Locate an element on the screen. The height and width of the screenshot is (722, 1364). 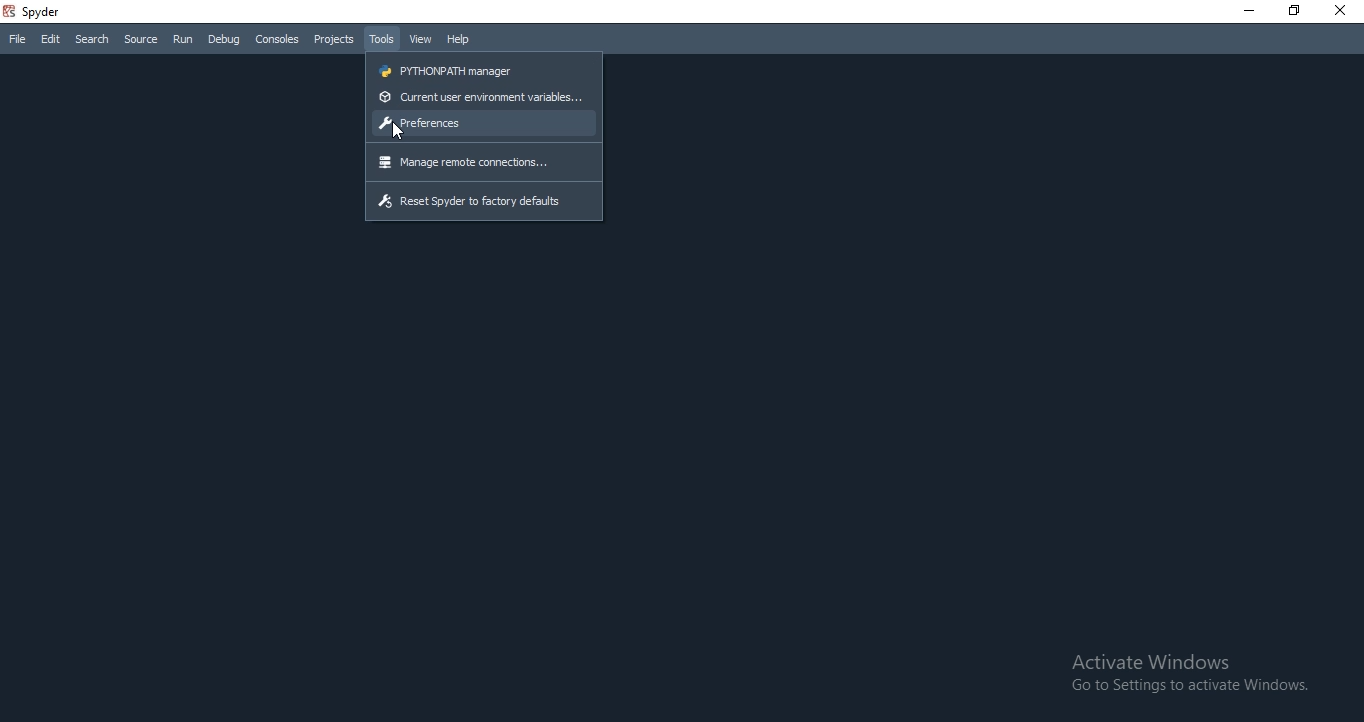
Restore is located at coordinates (1293, 12).